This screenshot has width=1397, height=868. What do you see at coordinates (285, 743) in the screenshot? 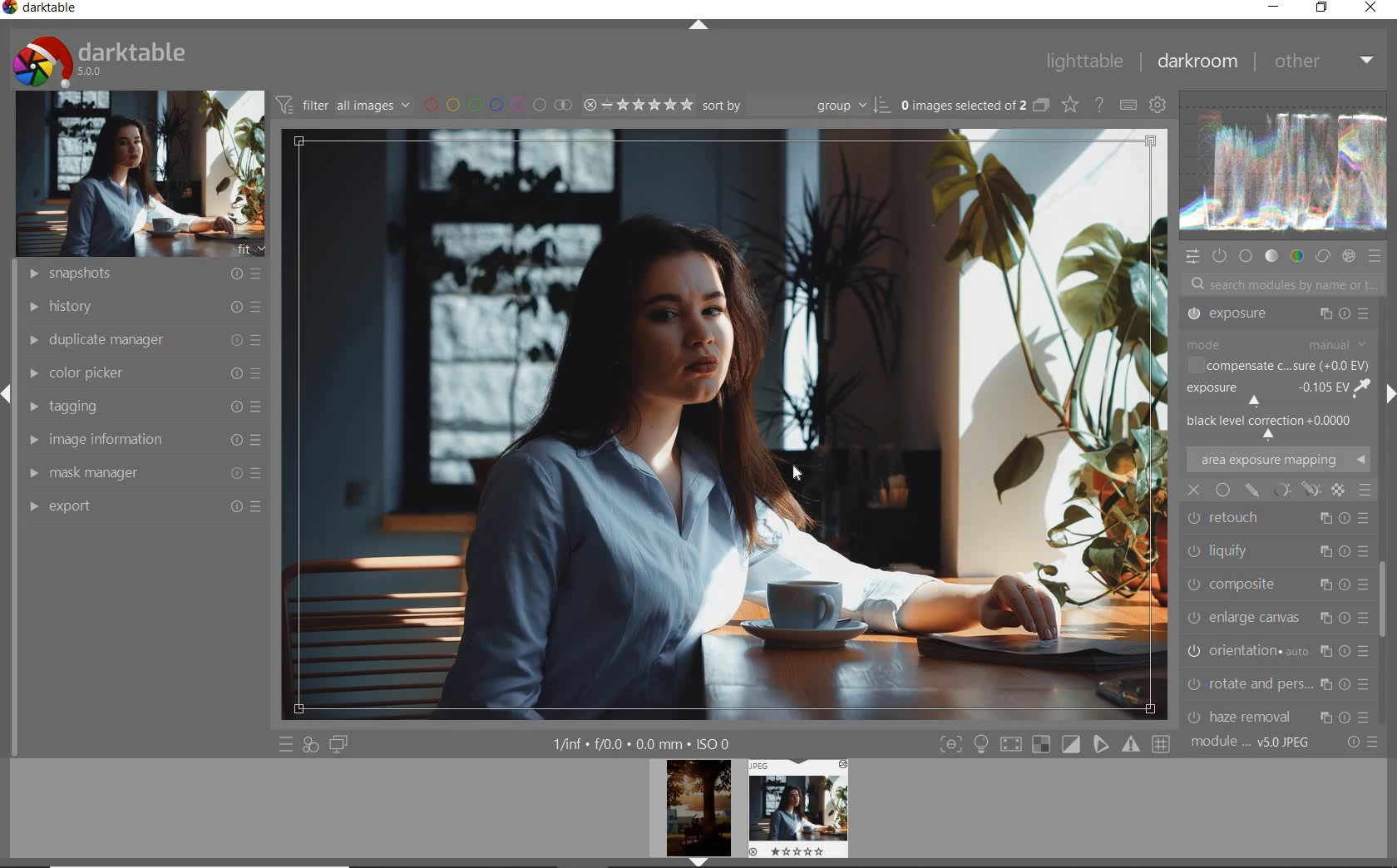
I see `QUICK ACCESS TO PRESET` at bounding box center [285, 743].